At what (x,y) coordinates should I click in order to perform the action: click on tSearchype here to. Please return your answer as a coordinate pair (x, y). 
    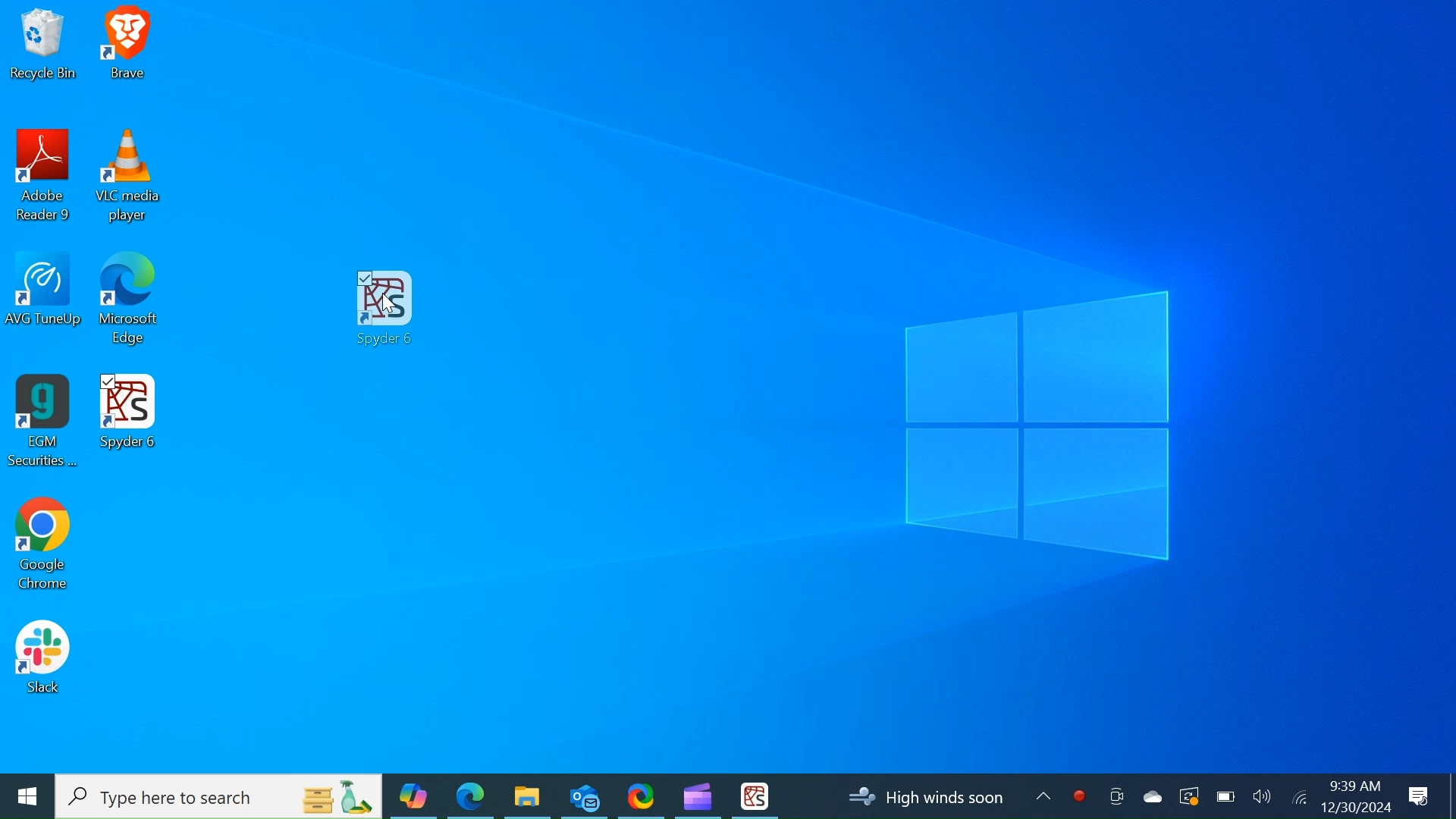
    Looking at the image, I should click on (220, 797).